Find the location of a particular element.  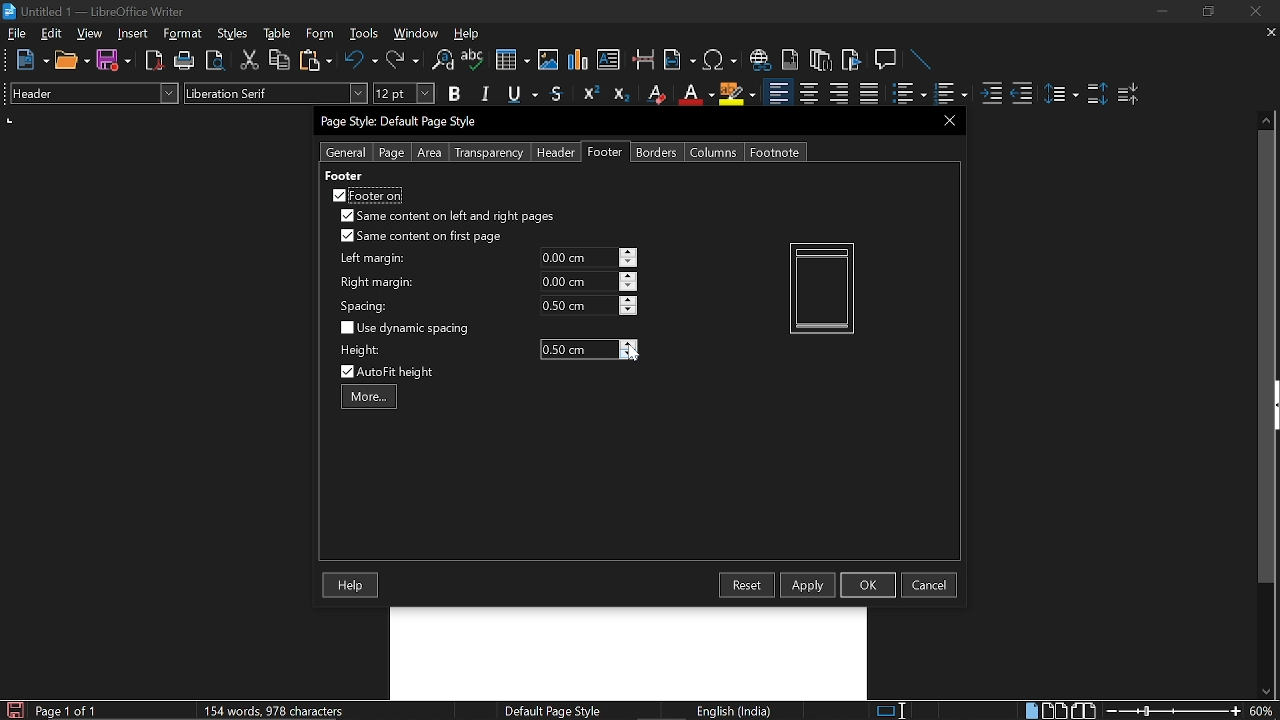

toggle ordered list is located at coordinates (909, 94).